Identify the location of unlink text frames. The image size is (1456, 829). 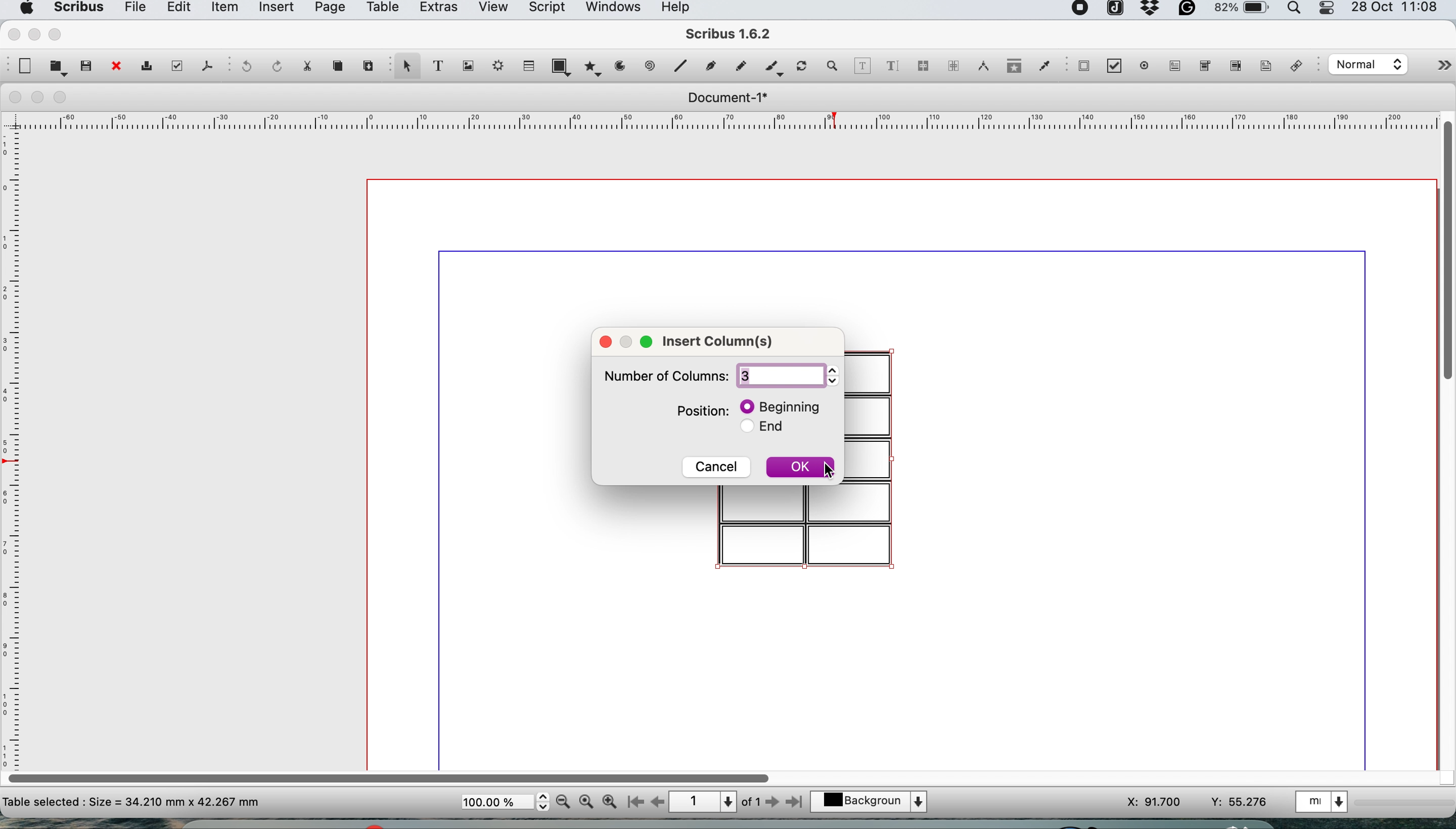
(953, 69).